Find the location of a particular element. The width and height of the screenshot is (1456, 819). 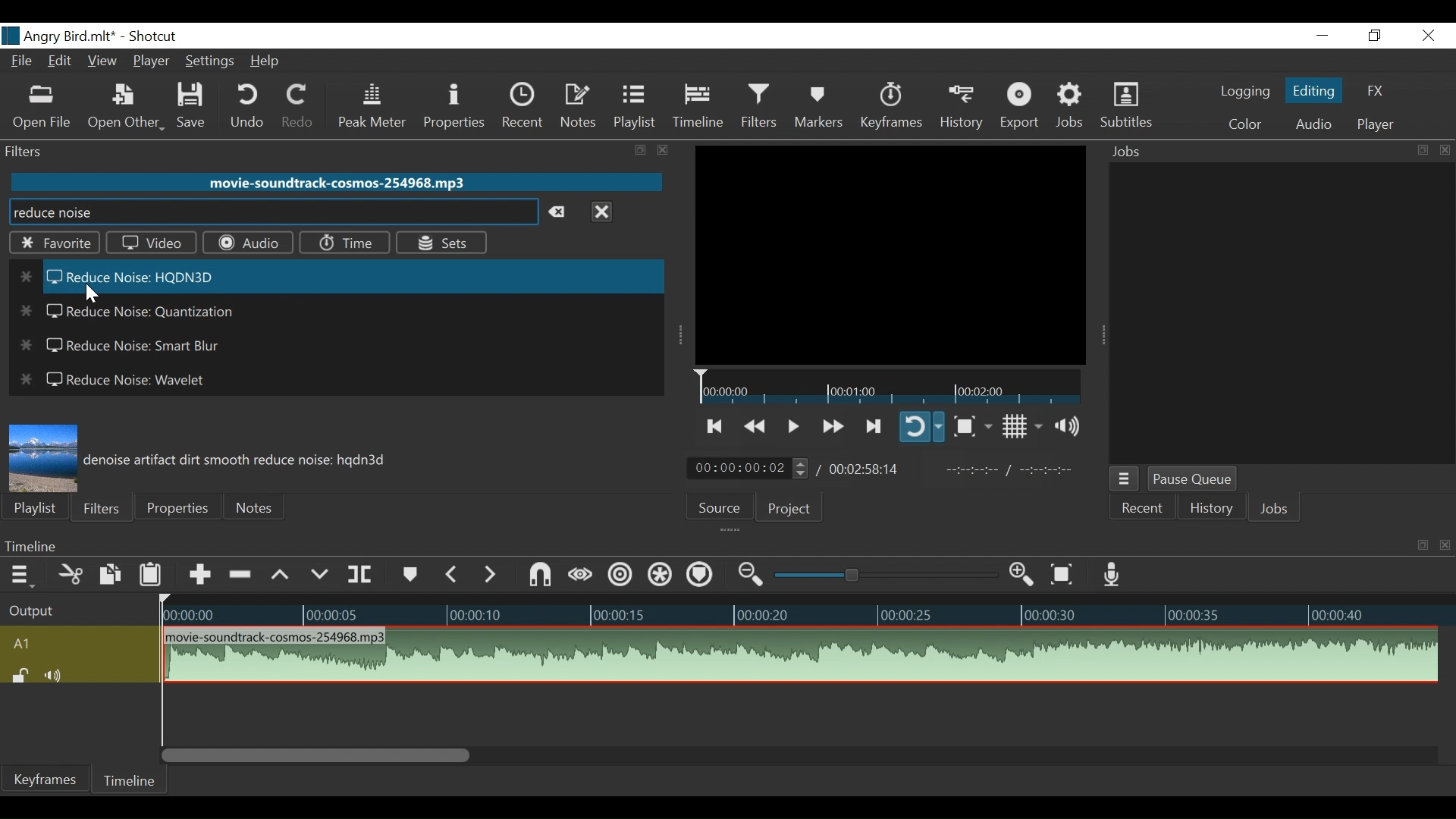

Total Duration is located at coordinates (868, 468).